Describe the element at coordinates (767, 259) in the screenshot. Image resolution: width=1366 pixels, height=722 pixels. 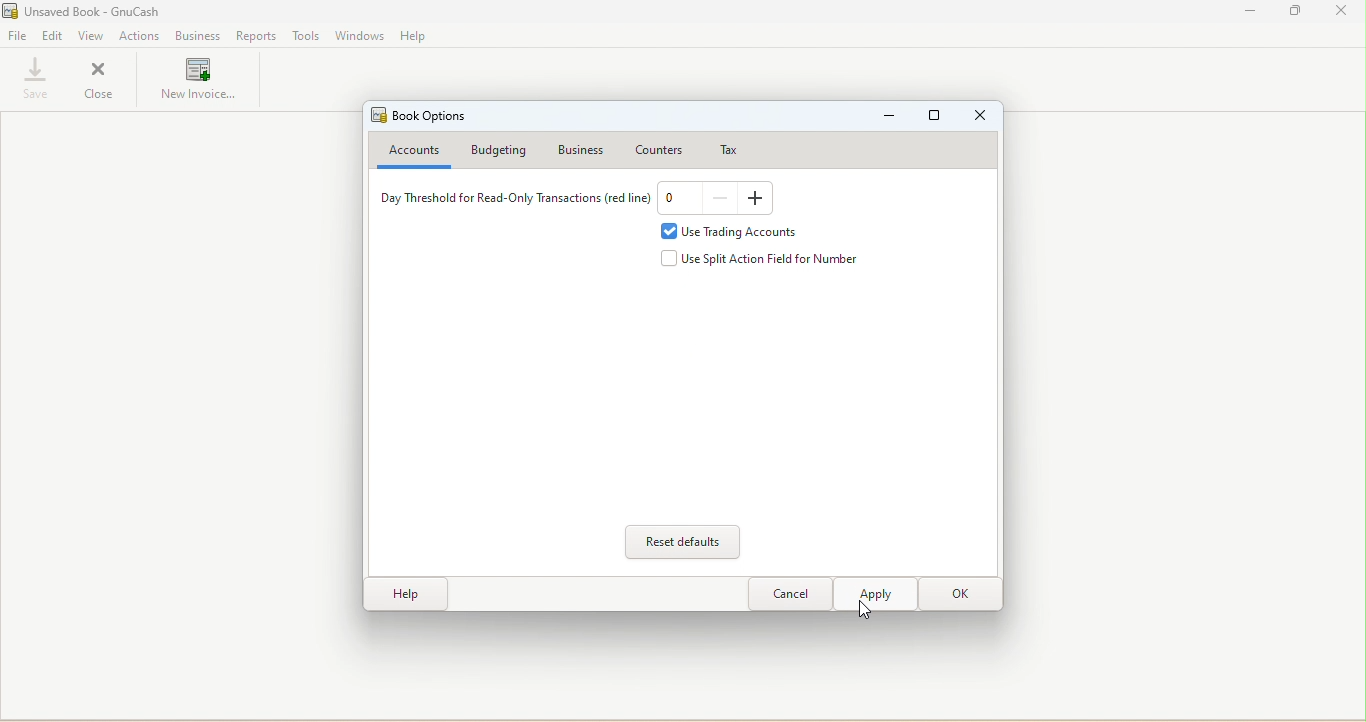
I see `Use split action field for number` at that location.